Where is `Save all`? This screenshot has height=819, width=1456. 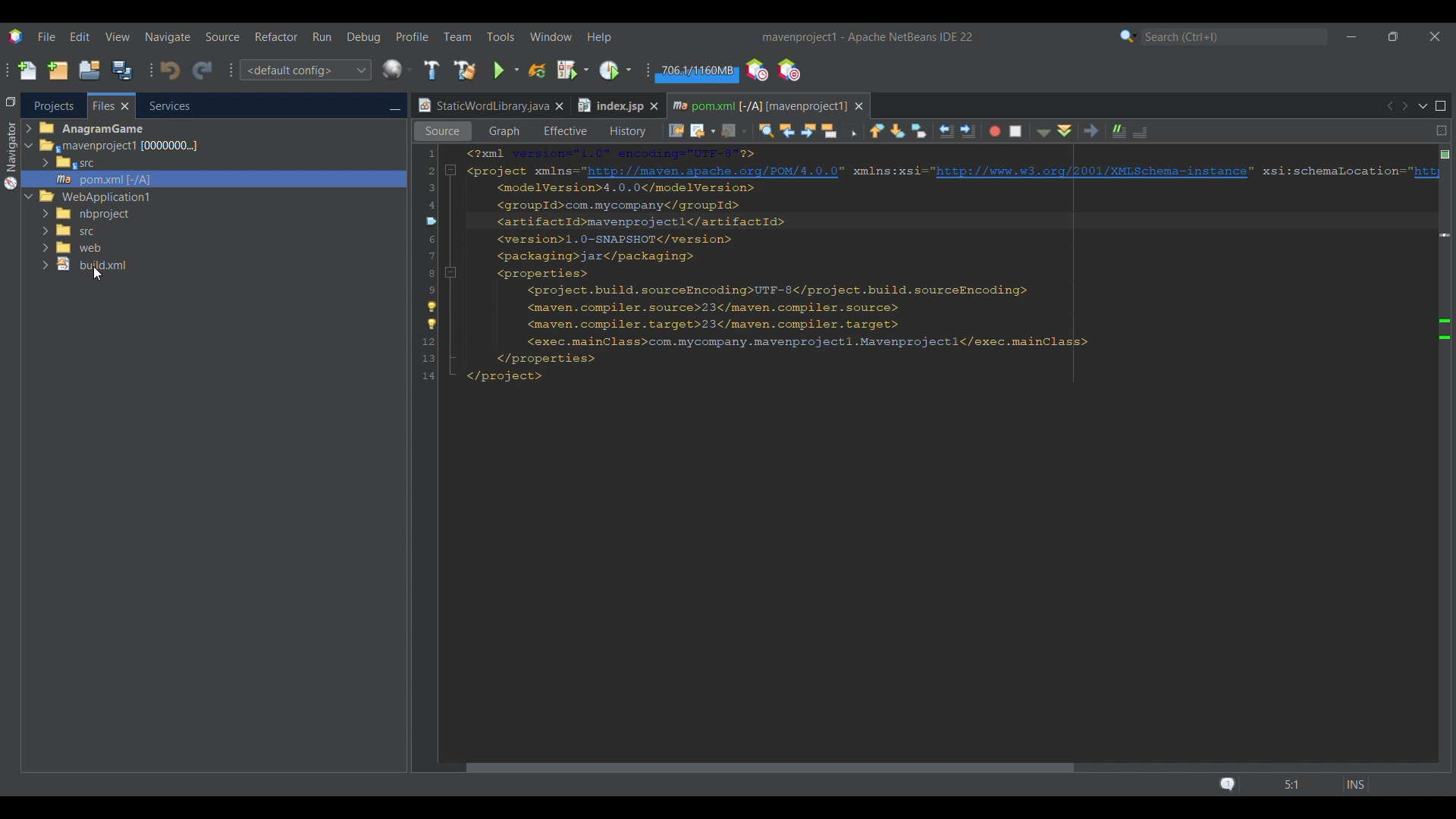
Save all is located at coordinates (122, 70).